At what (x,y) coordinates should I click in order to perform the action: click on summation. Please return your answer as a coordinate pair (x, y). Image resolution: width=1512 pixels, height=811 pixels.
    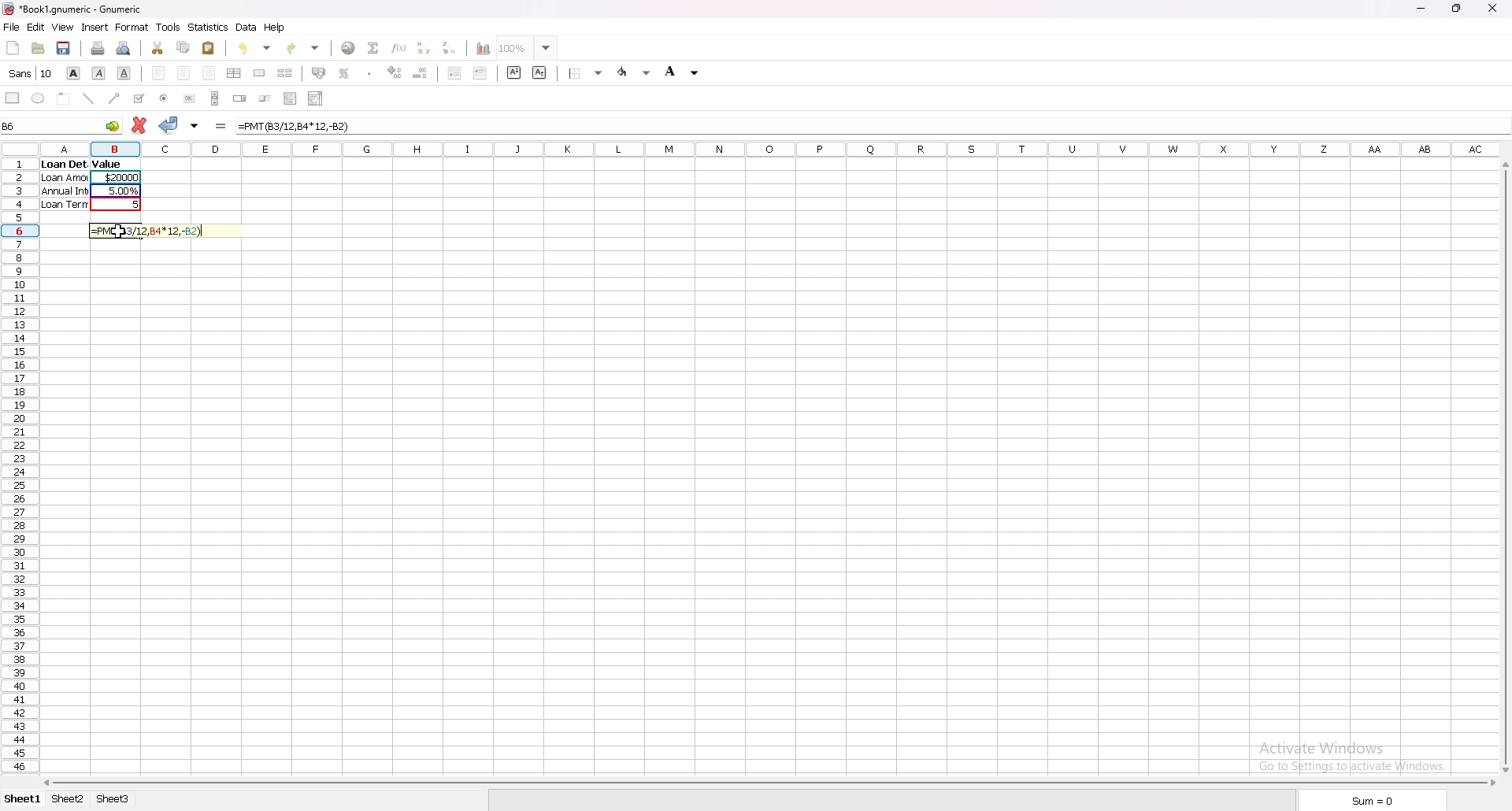
    Looking at the image, I should click on (374, 49).